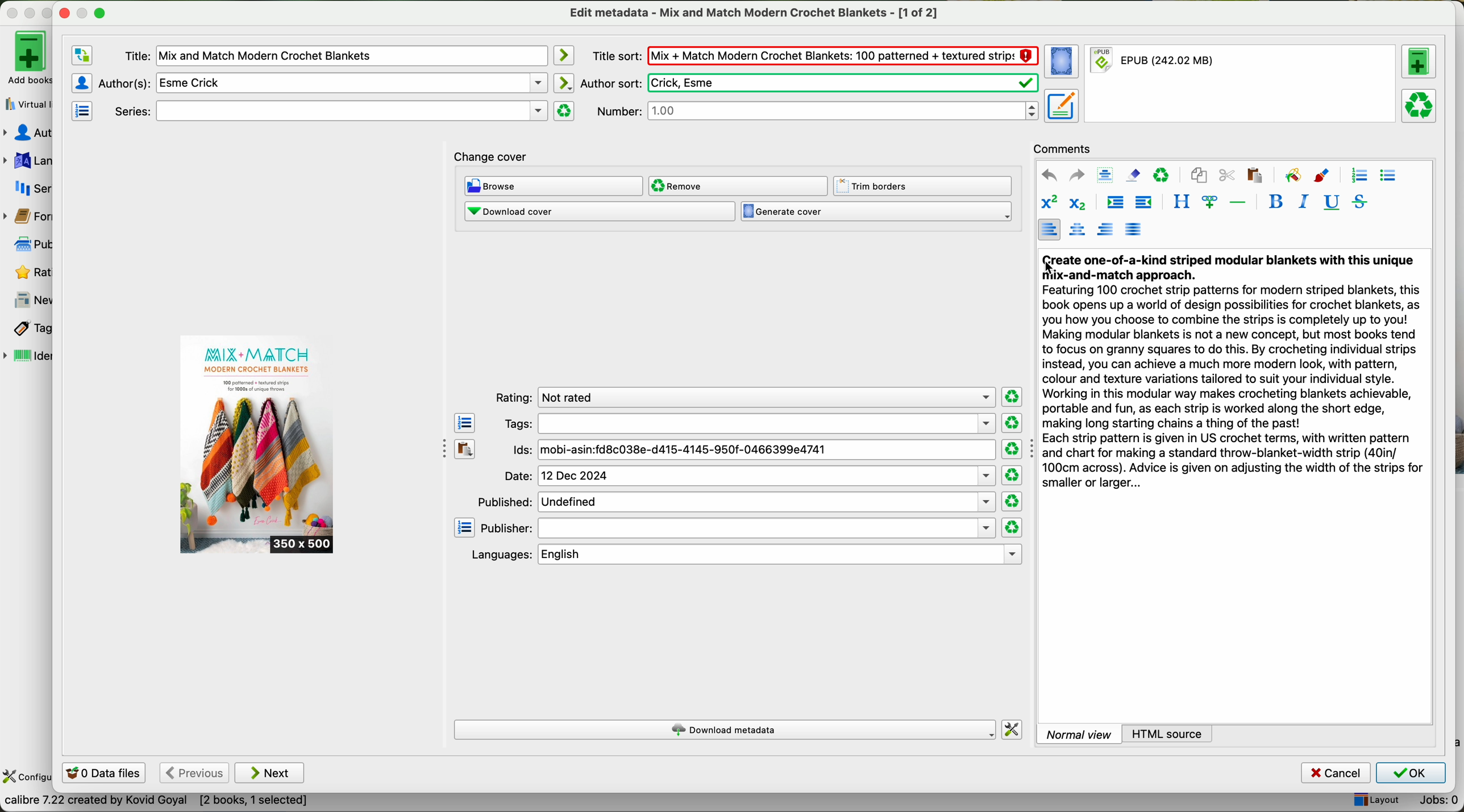 This screenshot has height=812, width=1464. Describe the element at coordinates (554, 187) in the screenshot. I see `browse` at that location.